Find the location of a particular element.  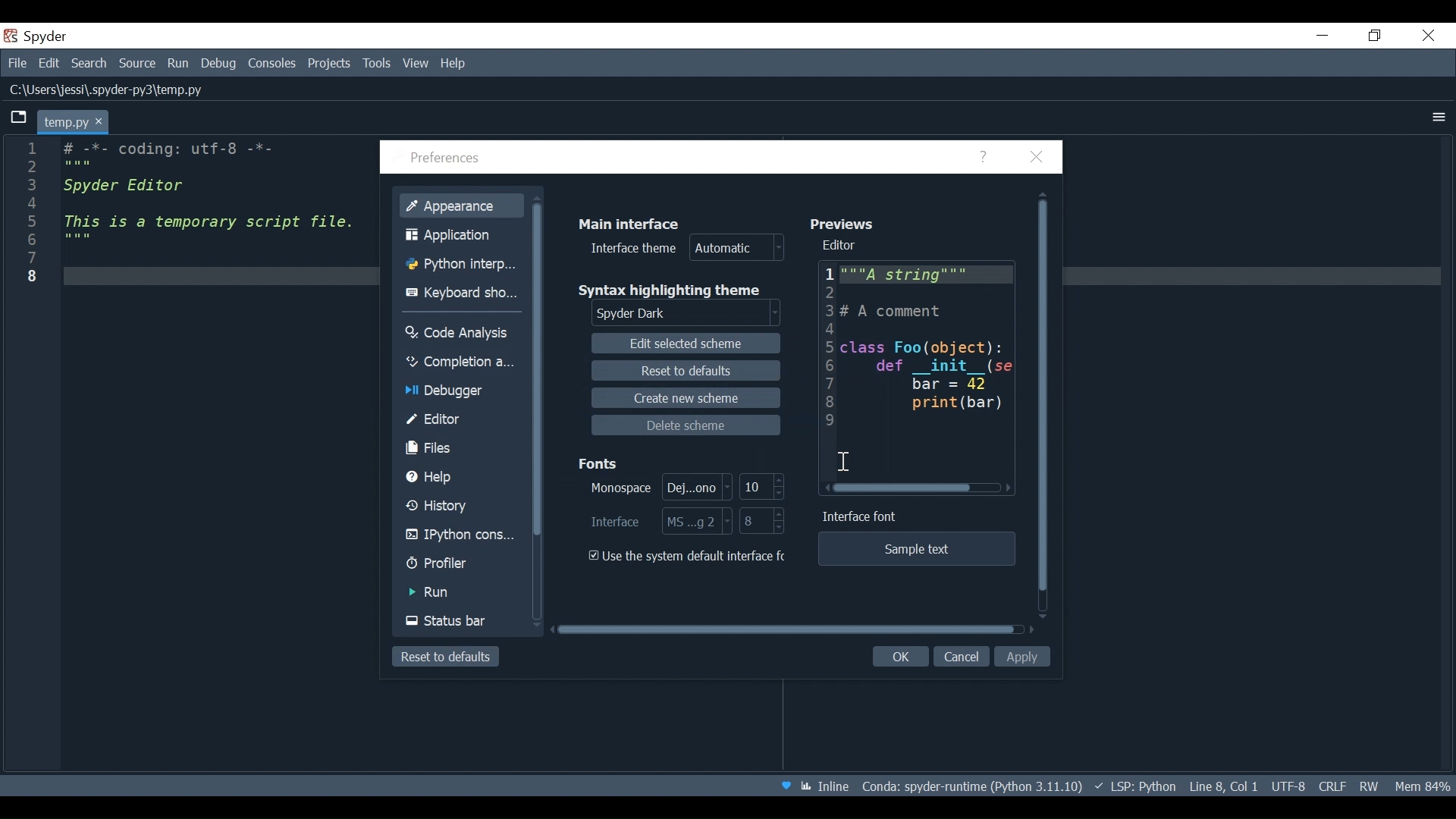

Edit is located at coordinates (51, 64).